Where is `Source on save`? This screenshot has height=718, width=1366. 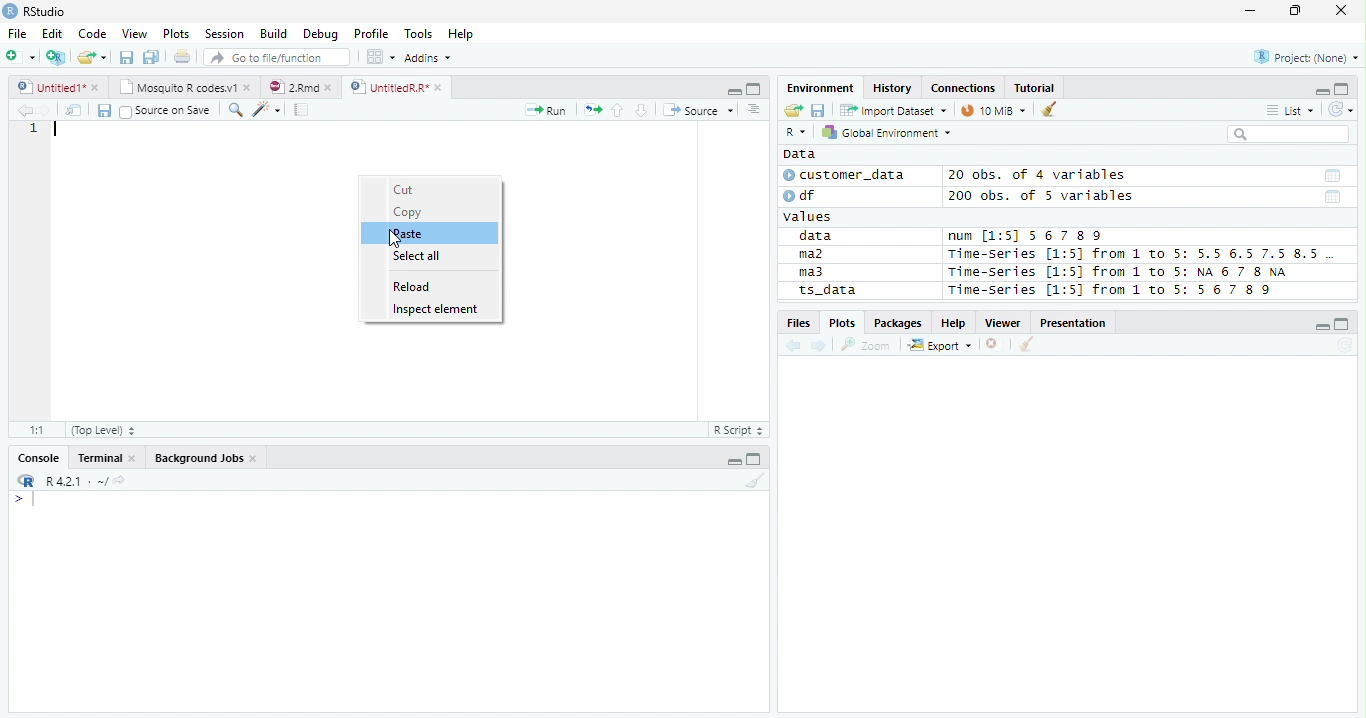 Source on save is located at coordinates (166, 111).